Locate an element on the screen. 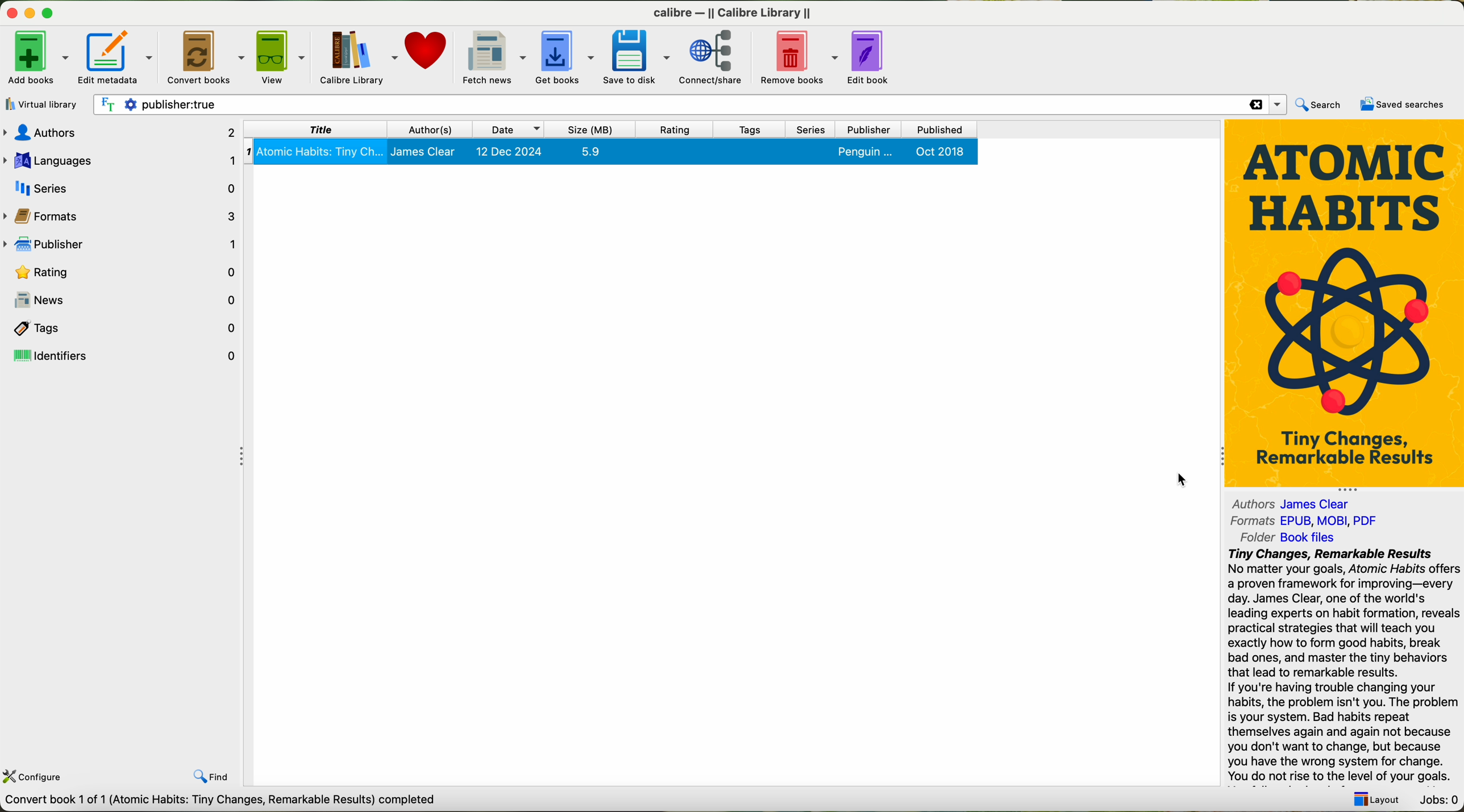 The width and height of the screenshot is (1464, 812). authors is located at coordinates (120, 131).